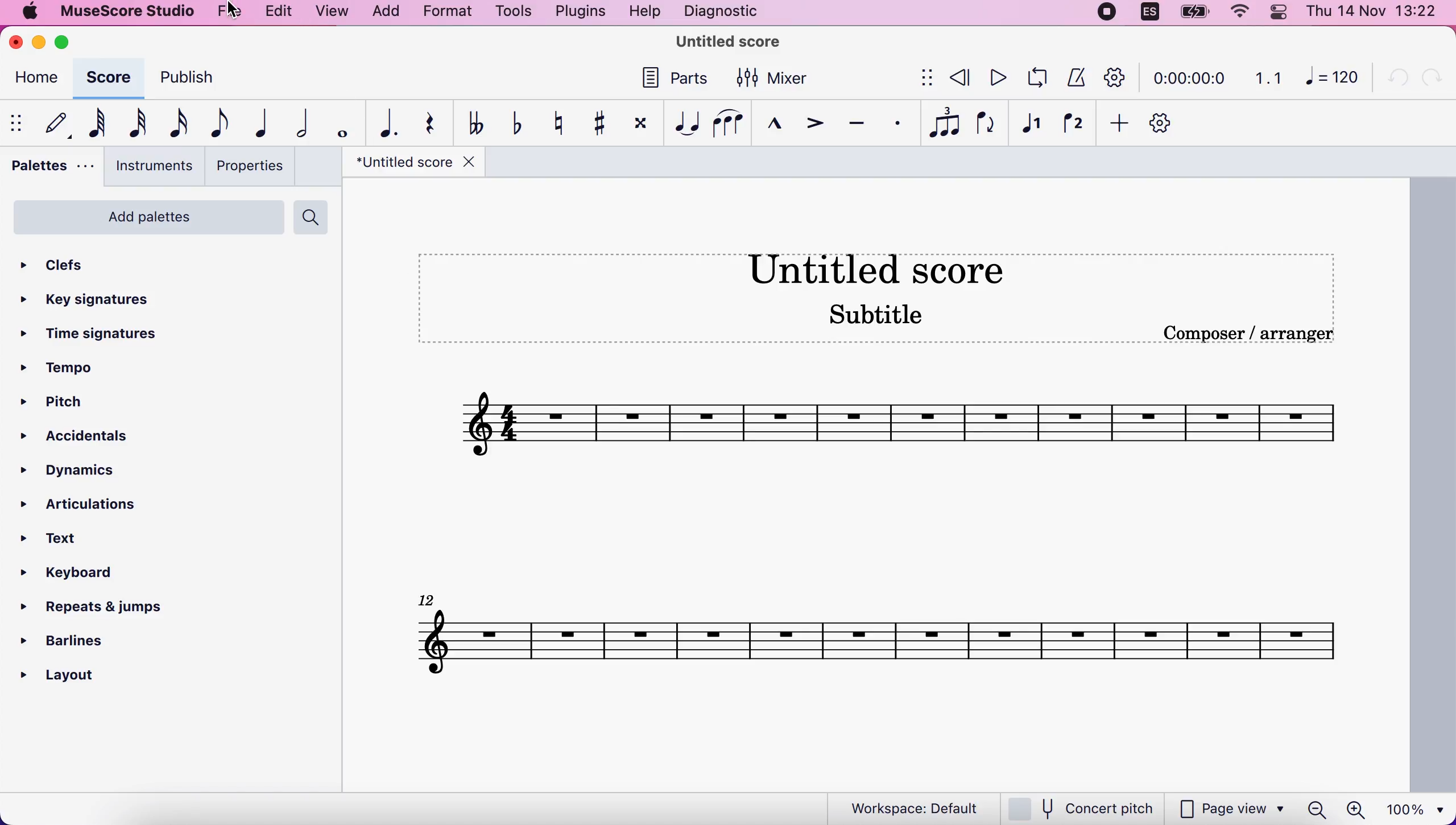 Image resolution: width=1456 pixels, height=825 pixels. What do you see at coordinates (514, 124) in the screenshot?
I see `toggle flat` at bounding box center [514, 124].